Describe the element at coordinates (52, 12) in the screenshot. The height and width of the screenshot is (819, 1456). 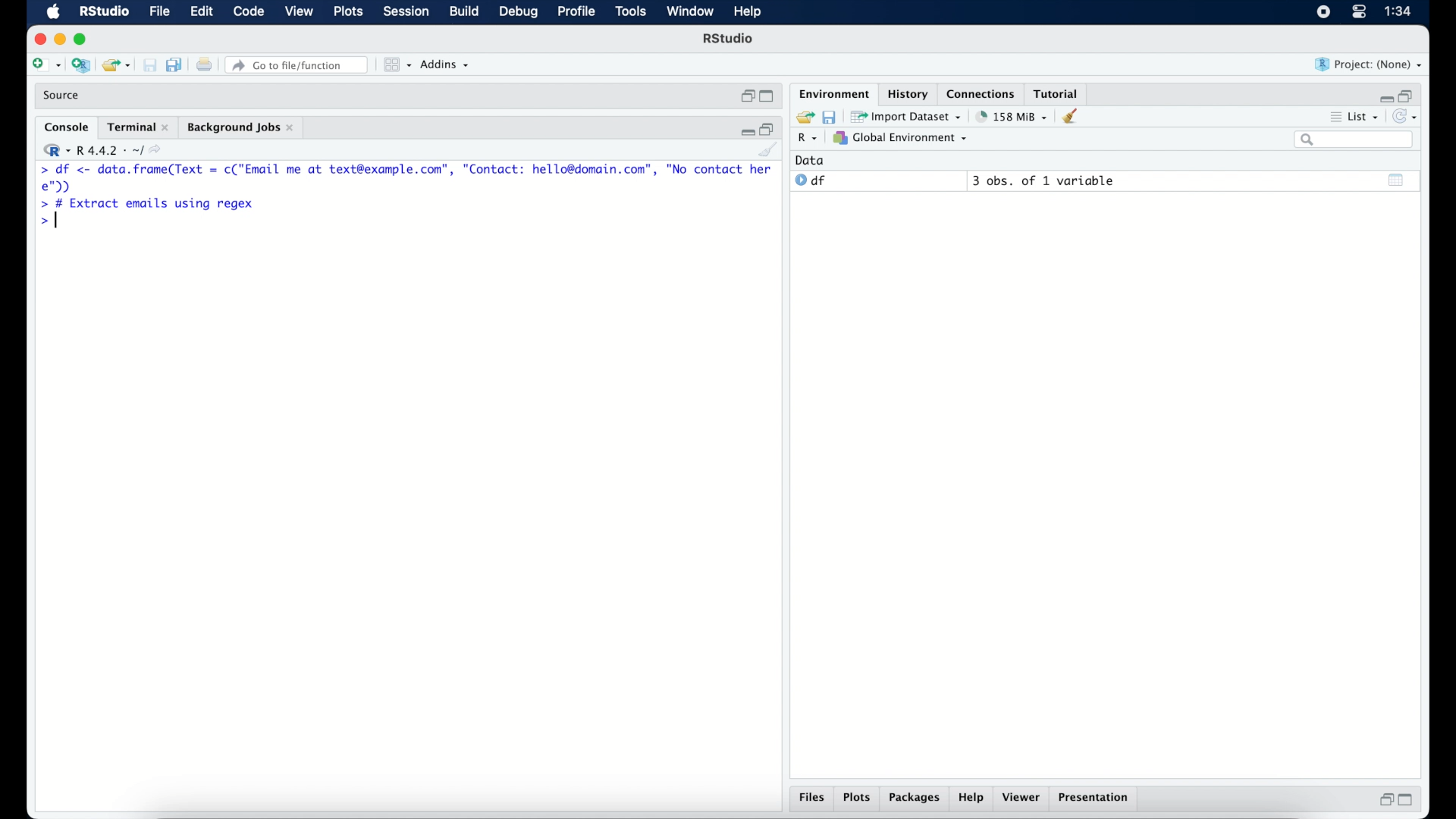
I see `macOS` at that location.